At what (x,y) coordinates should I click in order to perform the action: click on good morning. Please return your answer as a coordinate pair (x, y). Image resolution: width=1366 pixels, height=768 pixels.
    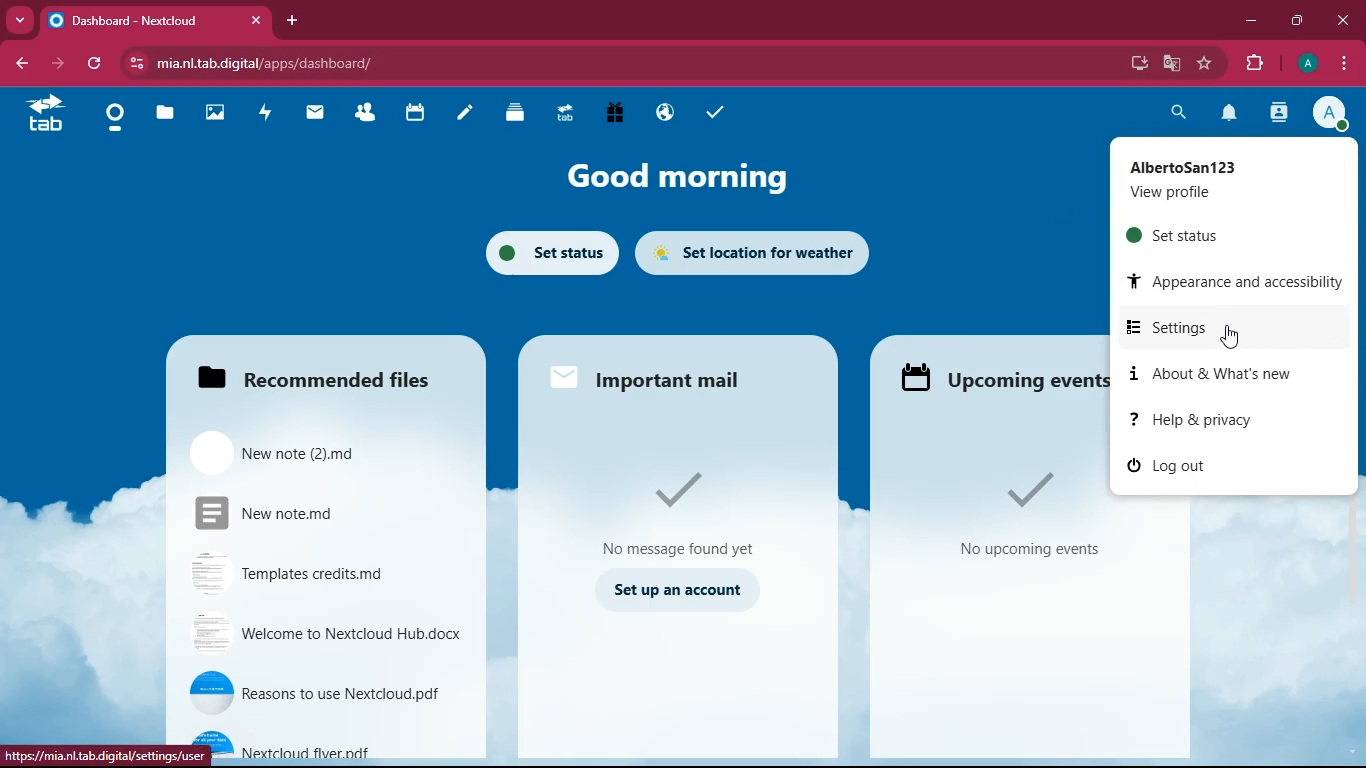
    Looking at the image, I should click on (684, 179).